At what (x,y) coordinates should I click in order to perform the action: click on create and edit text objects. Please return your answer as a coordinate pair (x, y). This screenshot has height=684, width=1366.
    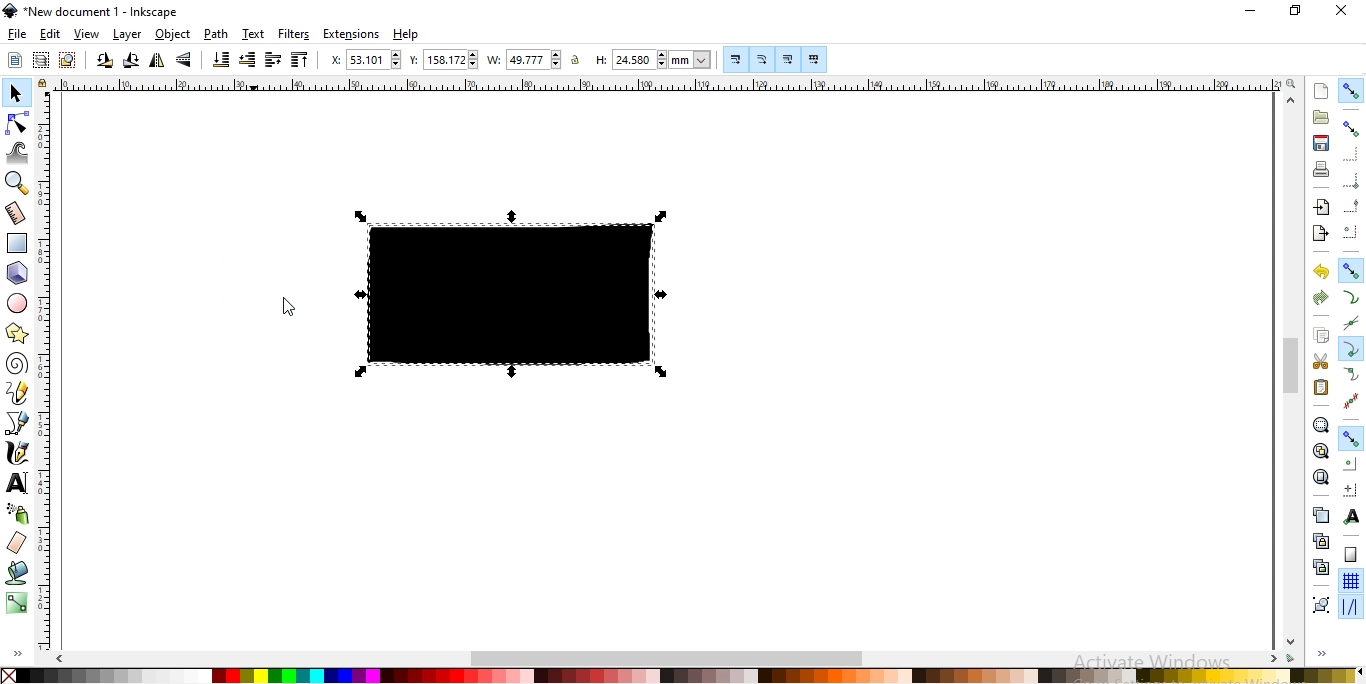
    Looking at the image, I should click on (14, 481).